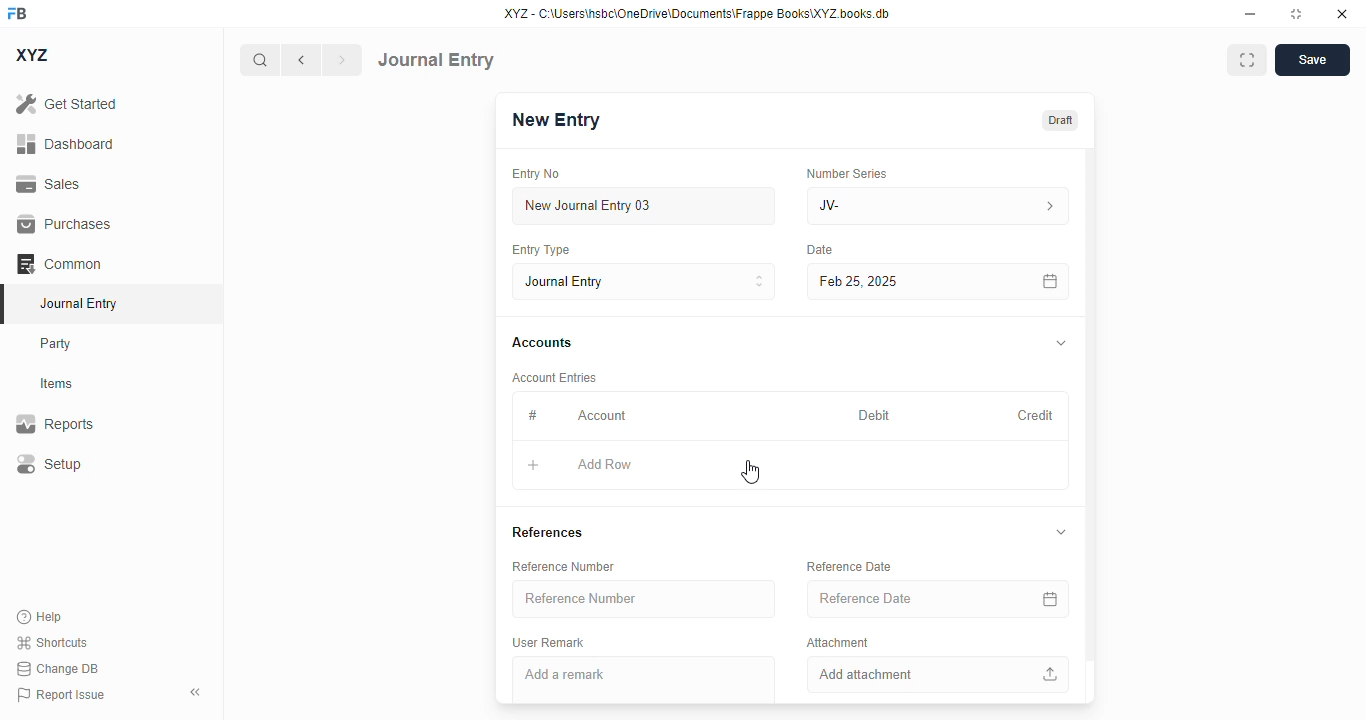 This screenshot has width=1366, height=720. What do you see at coordinates (894, 206) in the screenshot?
I see `JV-` at bounding box center [894, 206].